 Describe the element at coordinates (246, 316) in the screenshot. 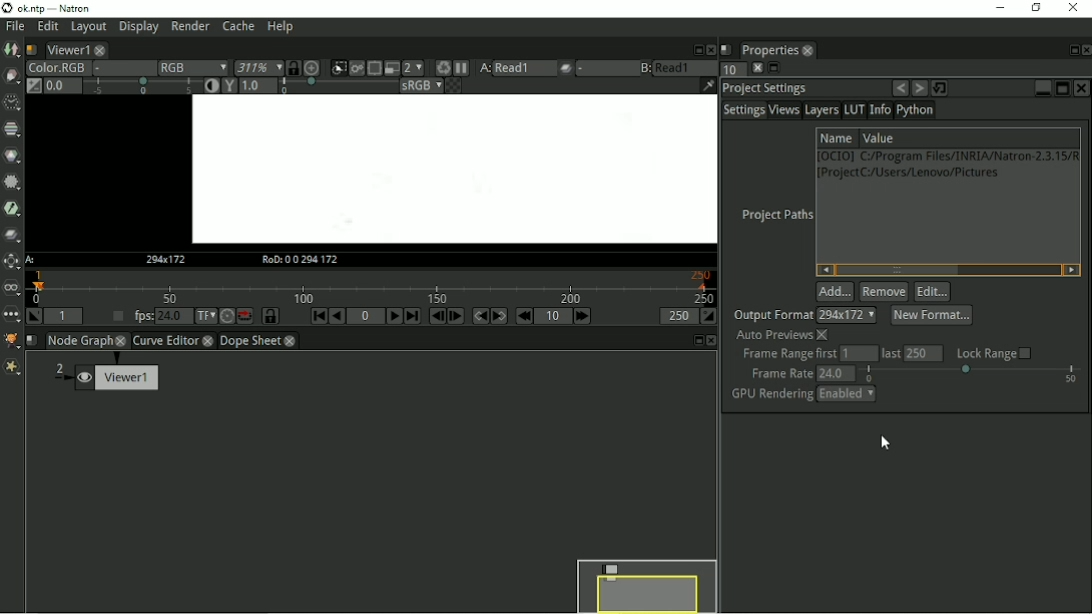

I see `Behaviour` at that location.